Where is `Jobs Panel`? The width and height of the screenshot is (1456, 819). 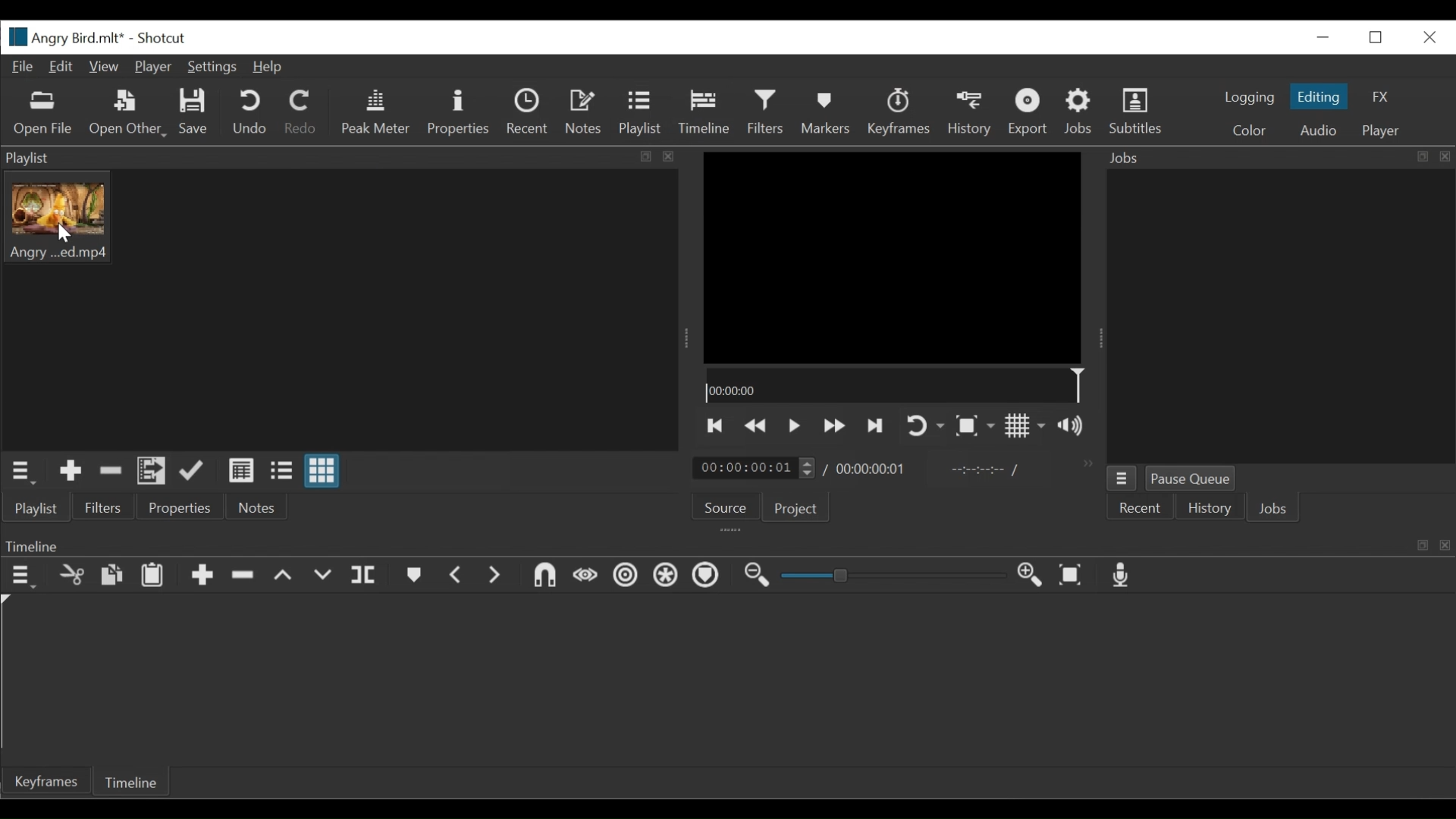 Jobs Panel is located at coordinates (1276, 313).